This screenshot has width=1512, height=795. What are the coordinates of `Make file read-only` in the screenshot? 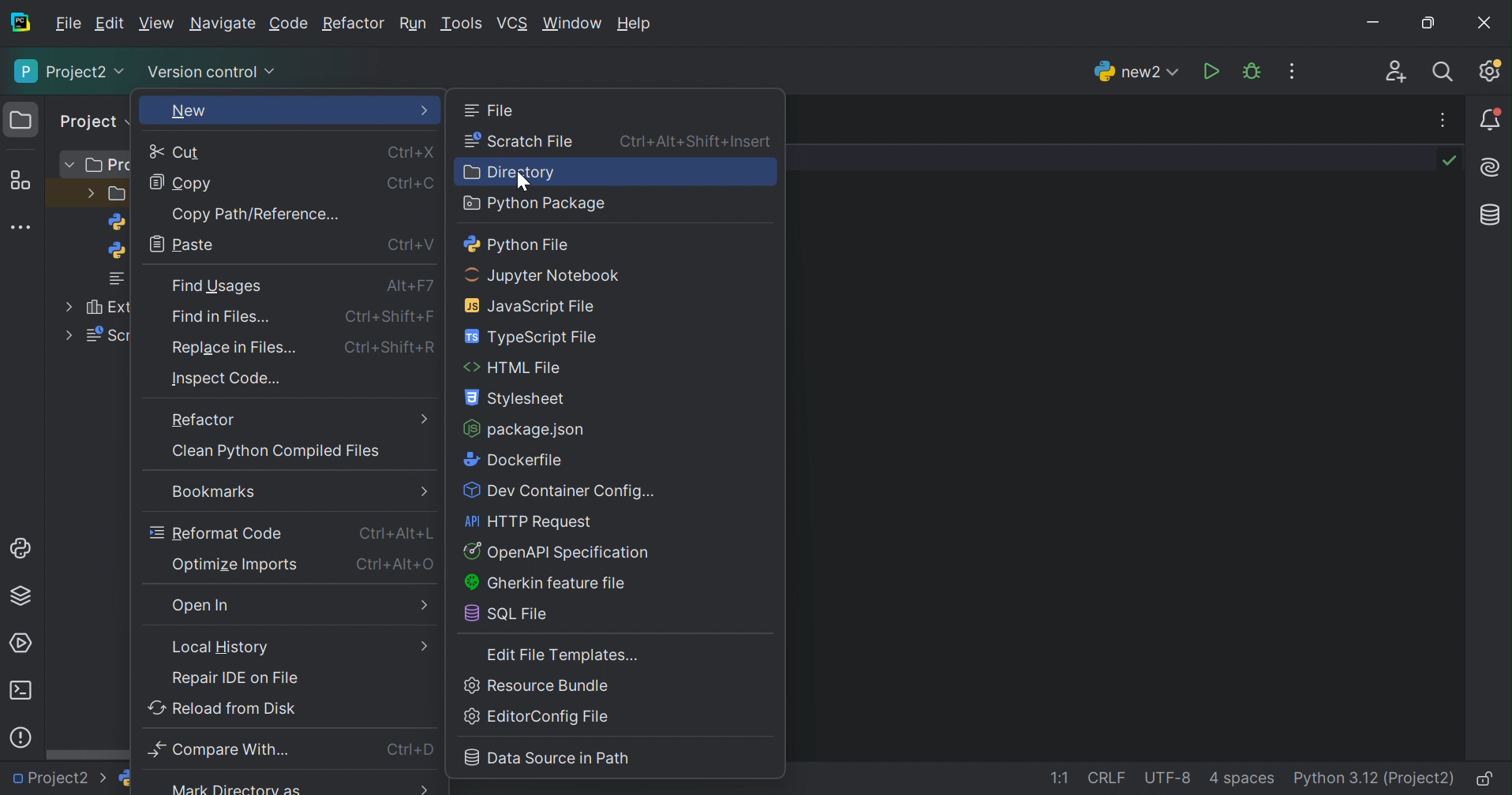 It's located at (1490, 779).